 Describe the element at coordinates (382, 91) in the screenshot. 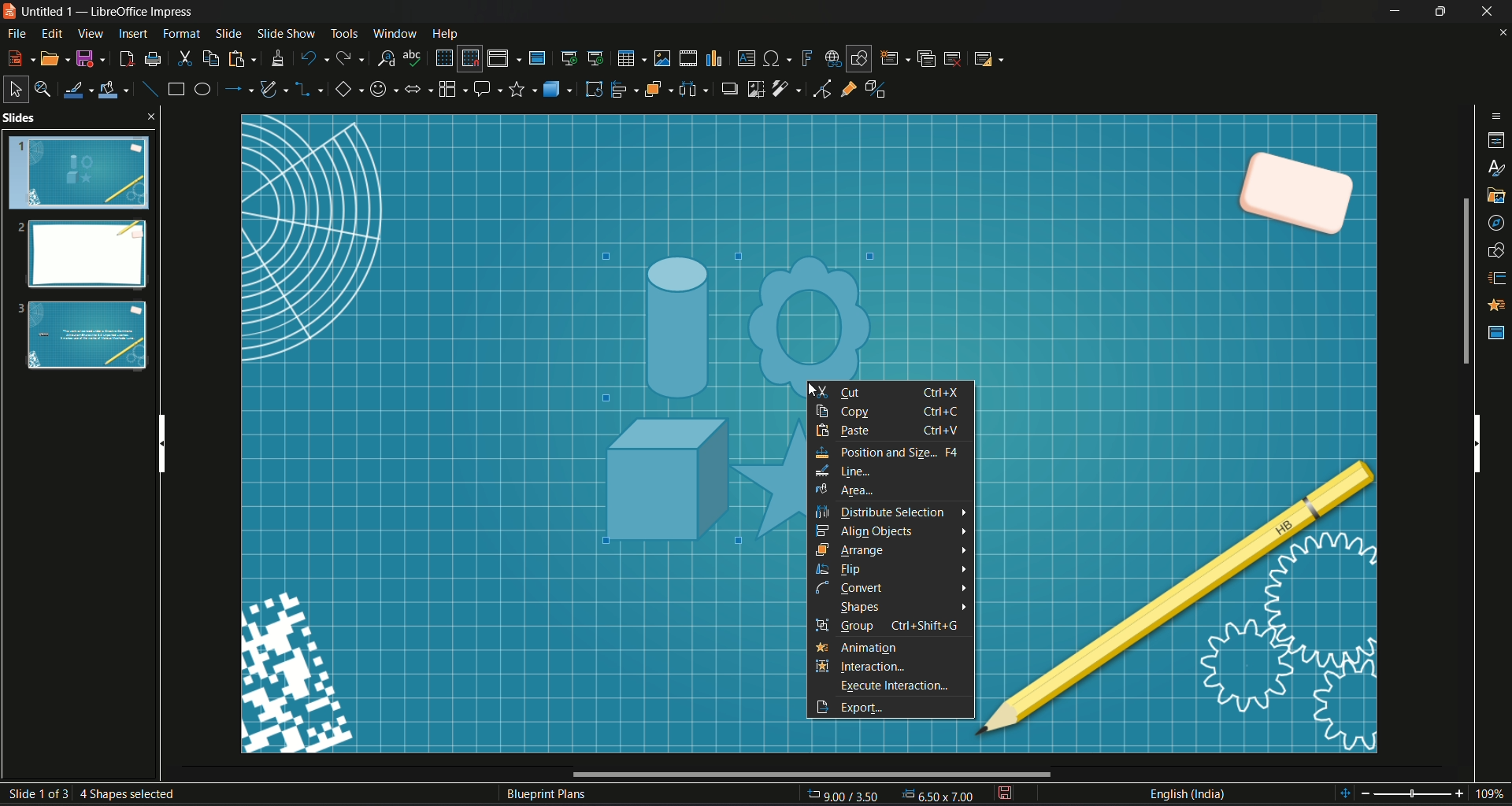

I see `symbol shape` at that location.